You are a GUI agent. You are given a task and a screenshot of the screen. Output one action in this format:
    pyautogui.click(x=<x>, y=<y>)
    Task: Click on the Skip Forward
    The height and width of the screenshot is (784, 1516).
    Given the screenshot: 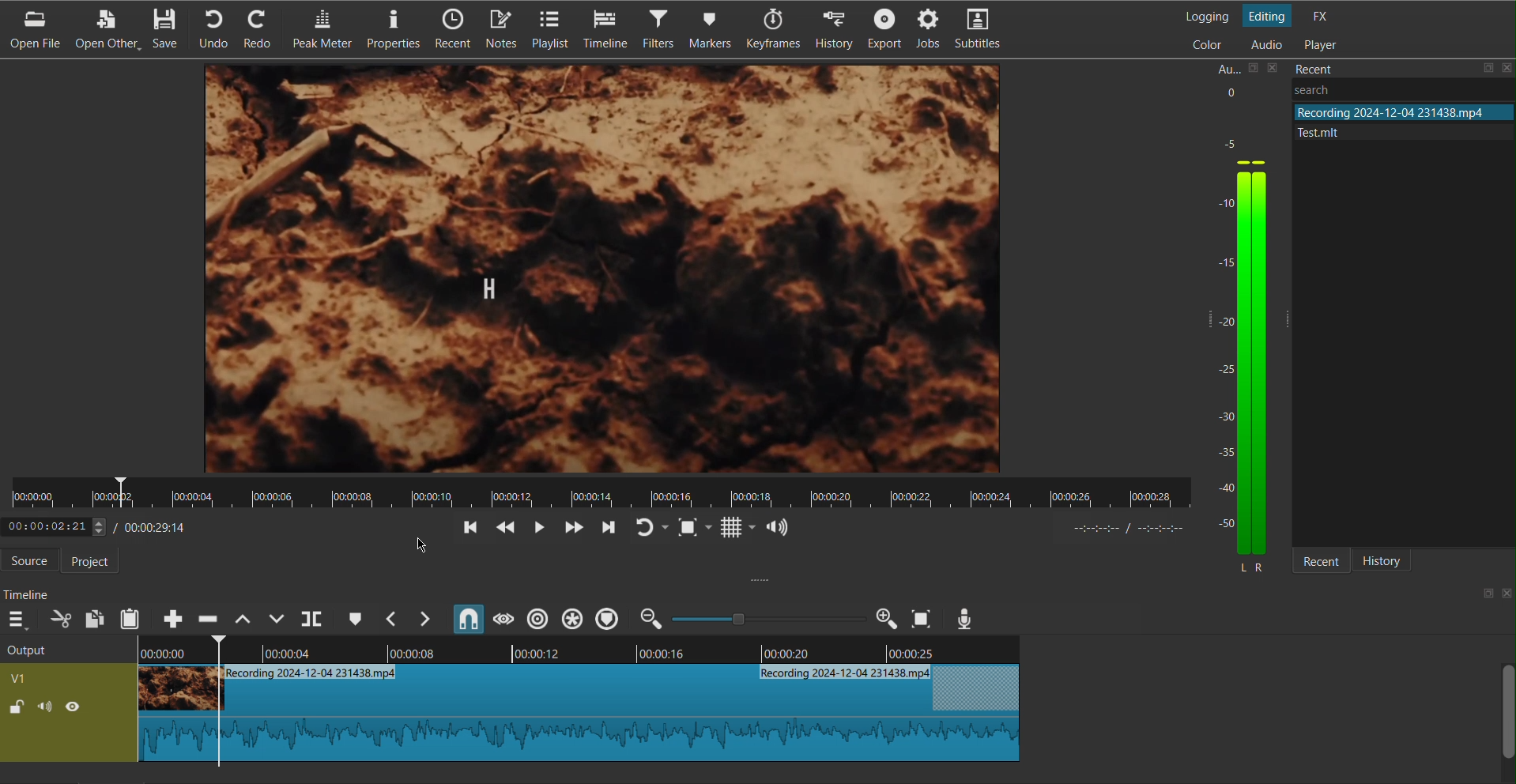 What is the action you would take?
    pyautogui.click(x=572, y=528)
    